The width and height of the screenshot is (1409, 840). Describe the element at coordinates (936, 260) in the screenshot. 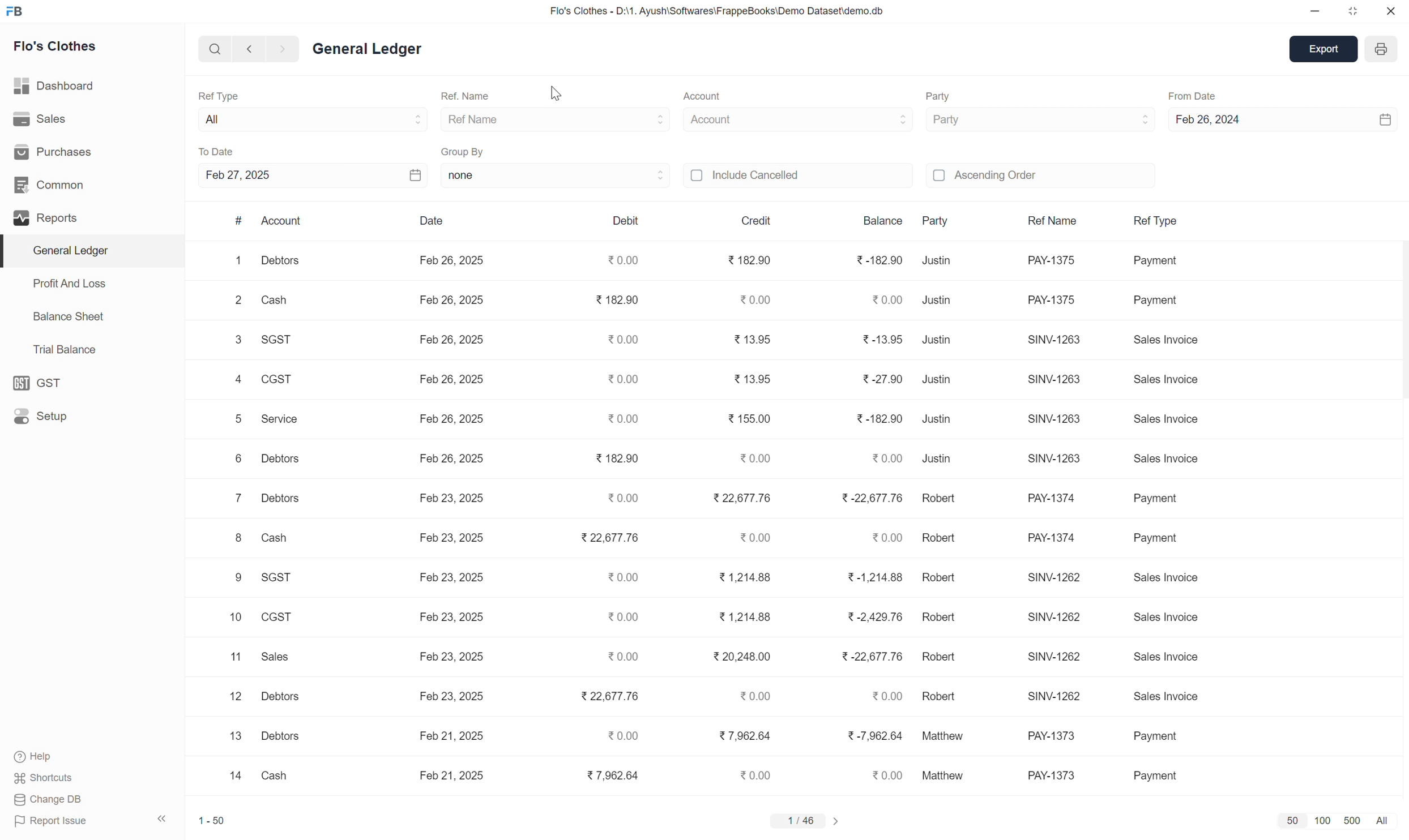

I see `justin` at that location.